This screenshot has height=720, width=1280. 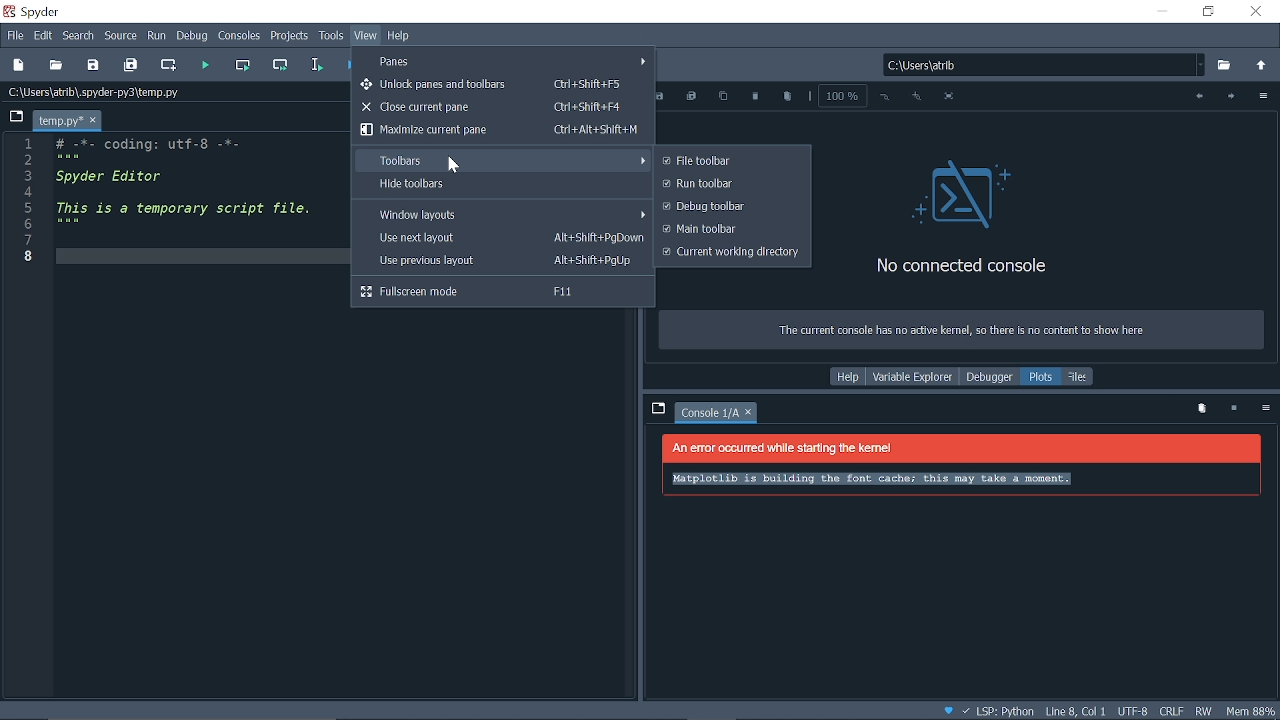 I want to click on Debug, so click(x=194, y=37).